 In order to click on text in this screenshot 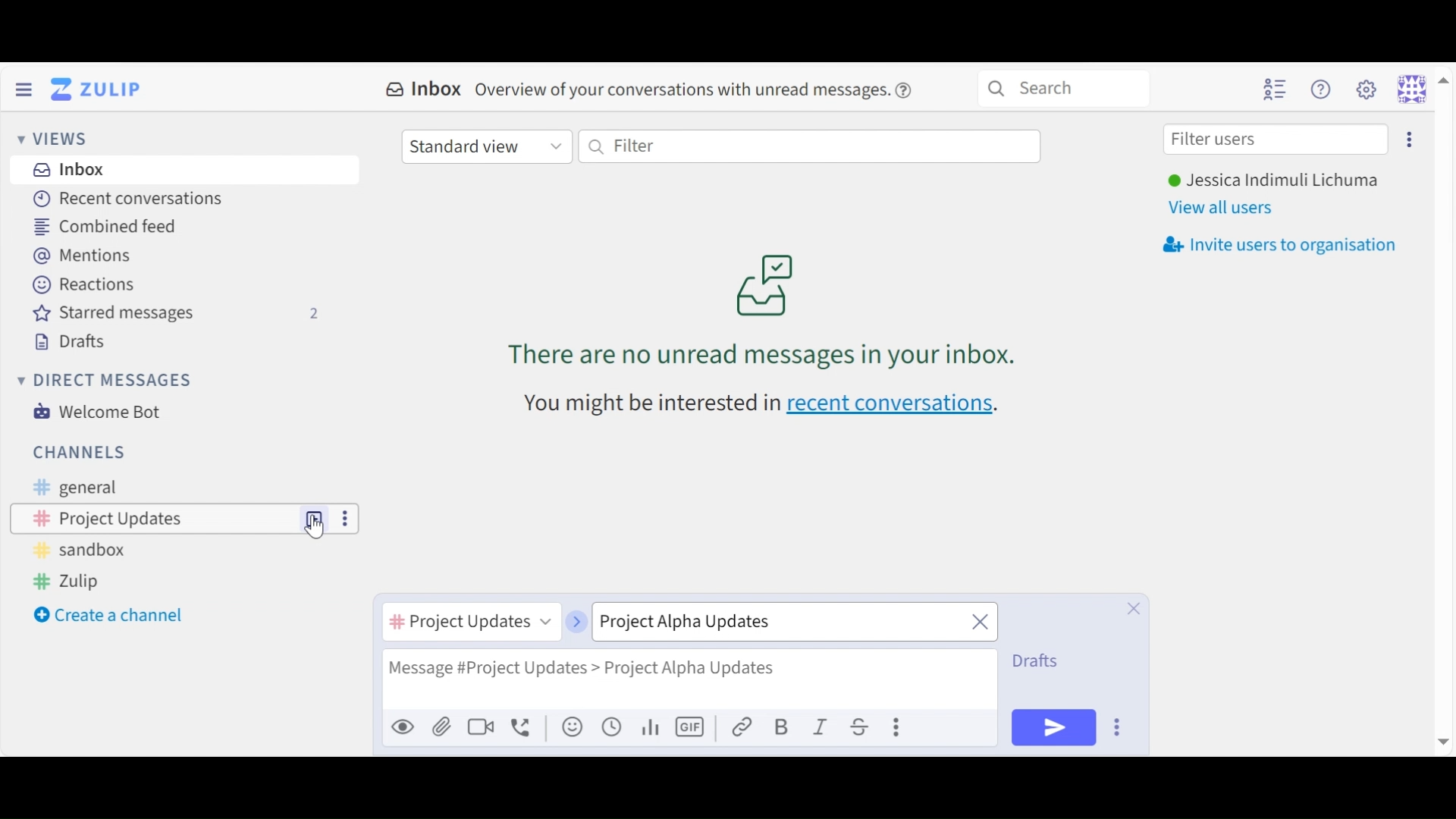, I will do `click(649, 404)`.